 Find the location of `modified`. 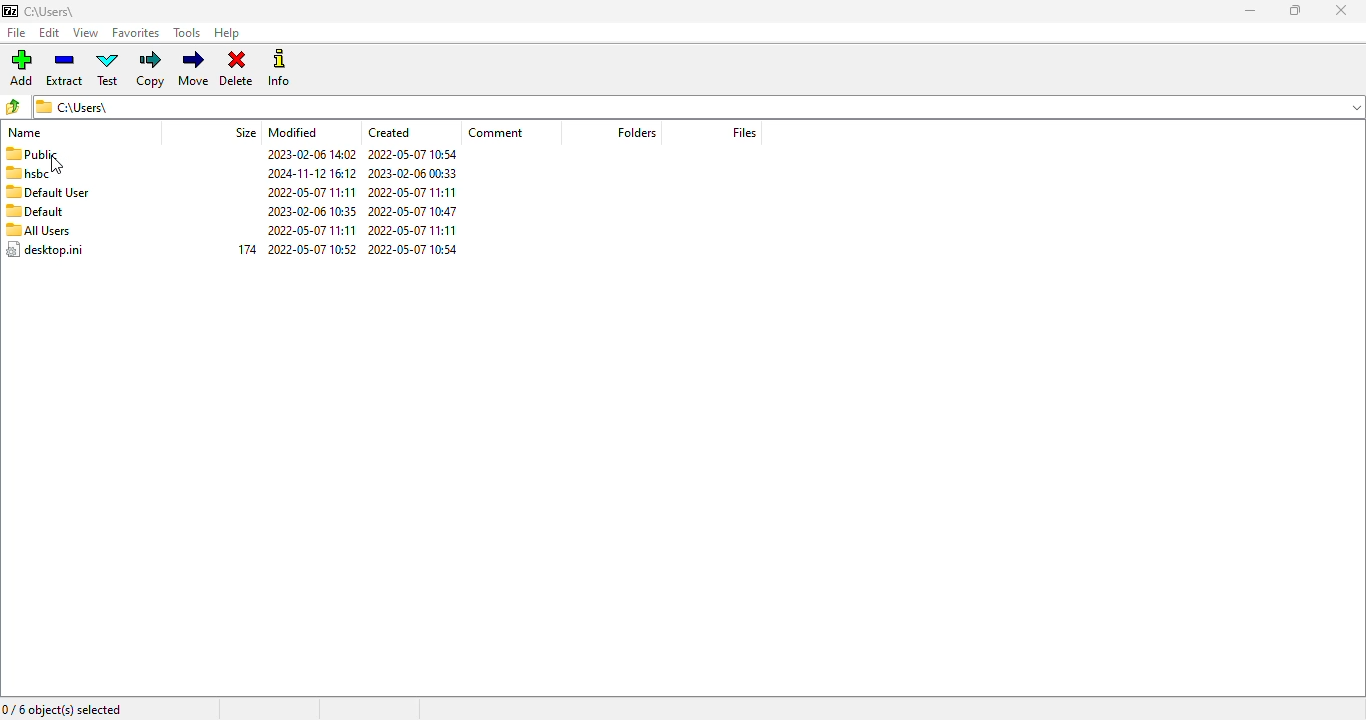

modified is located at coordinates (294, 132).